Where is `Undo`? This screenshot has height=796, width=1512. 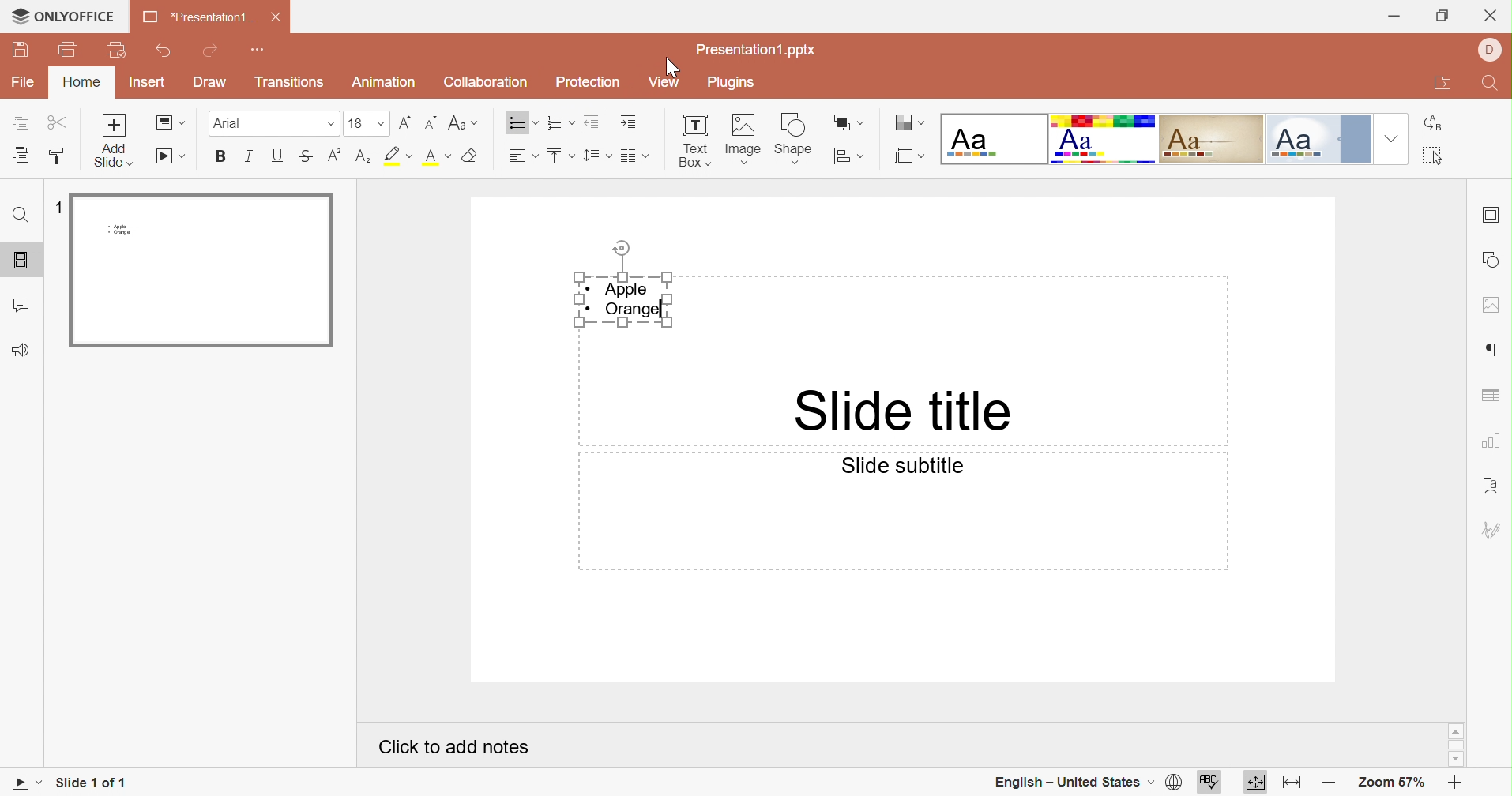 Undo is located at coordinates (164, 52).